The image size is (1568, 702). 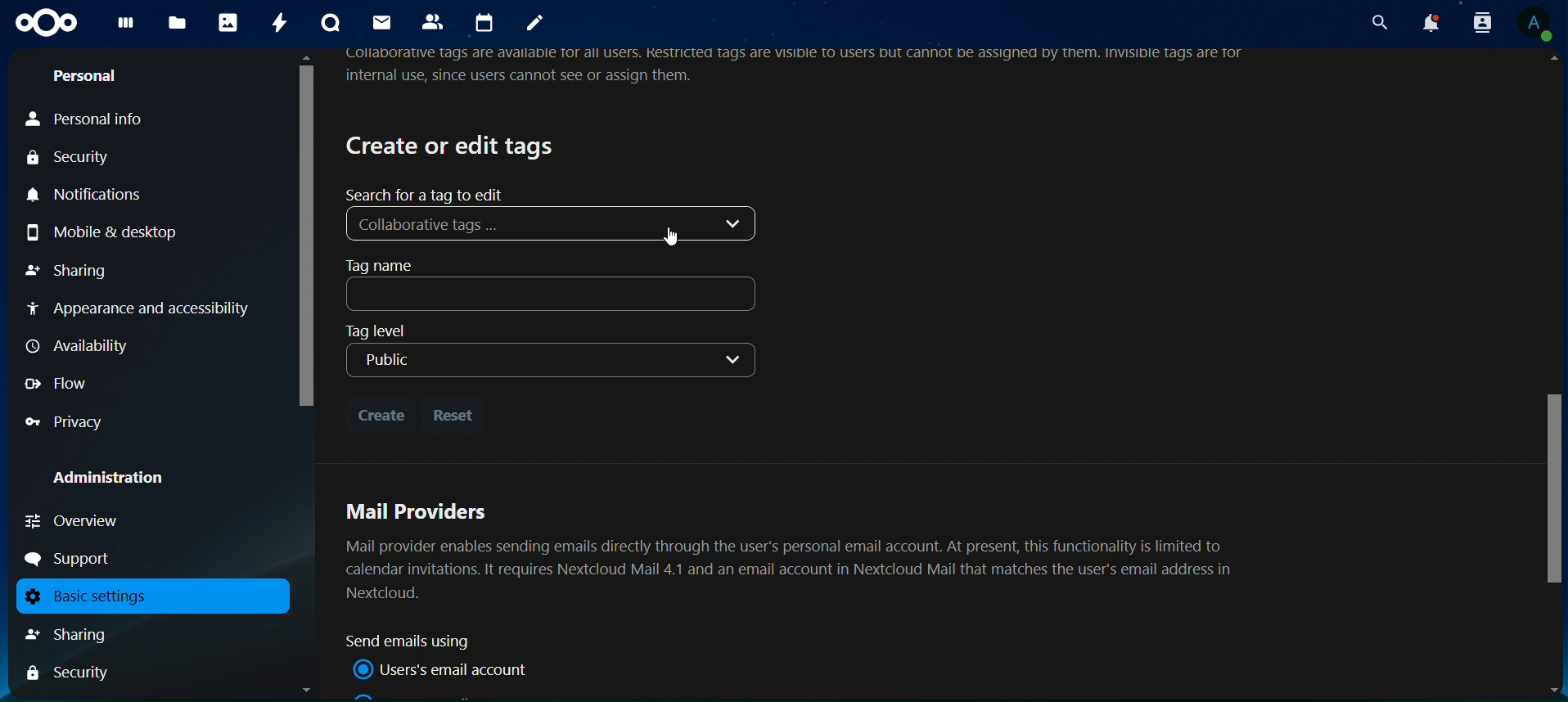 I want to click on Scrollbar, so click(x=1551, y=376).